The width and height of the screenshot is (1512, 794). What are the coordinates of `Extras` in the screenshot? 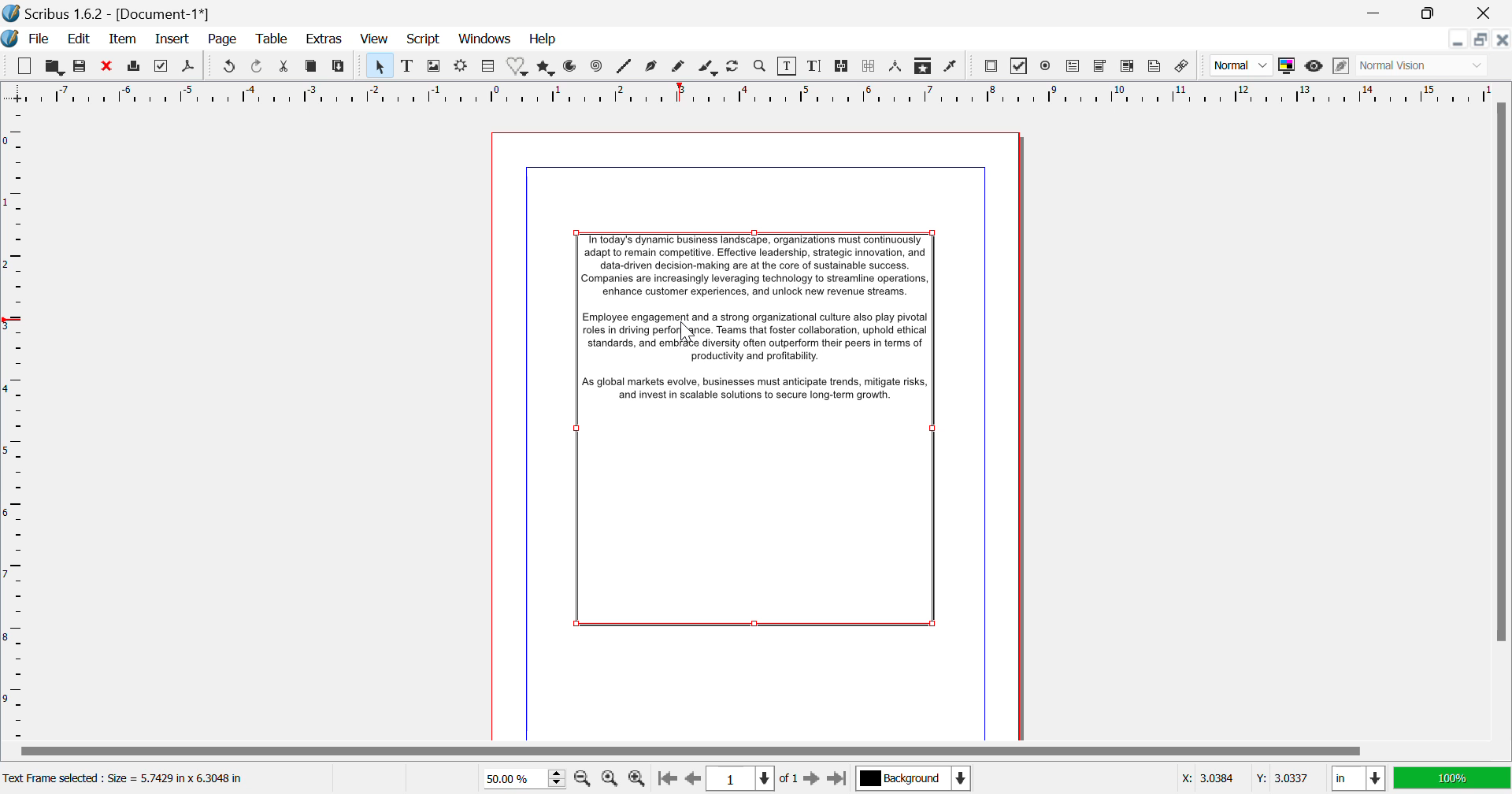 It's located at (327, 39).